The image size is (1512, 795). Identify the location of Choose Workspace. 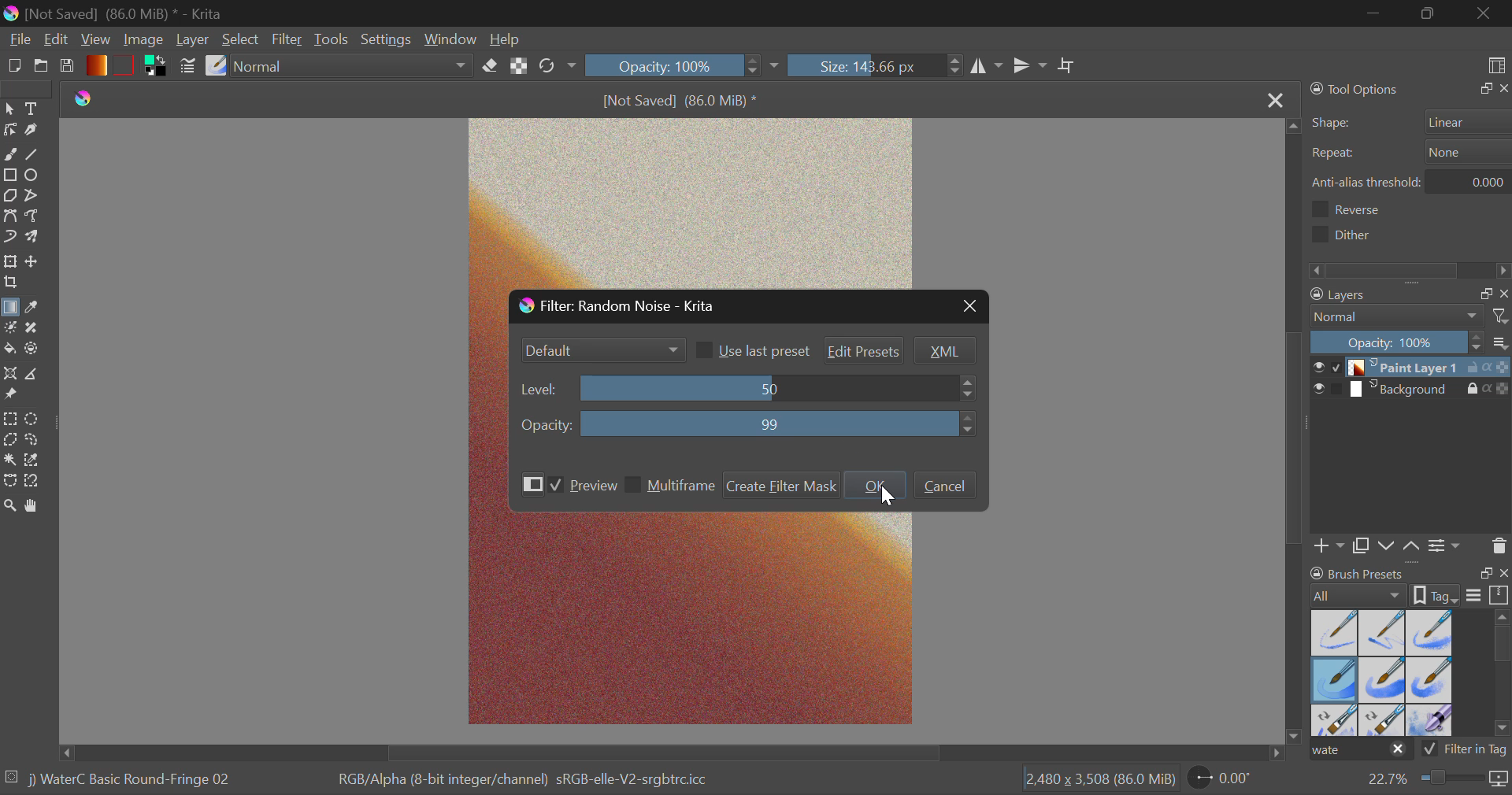
(1495, 64).